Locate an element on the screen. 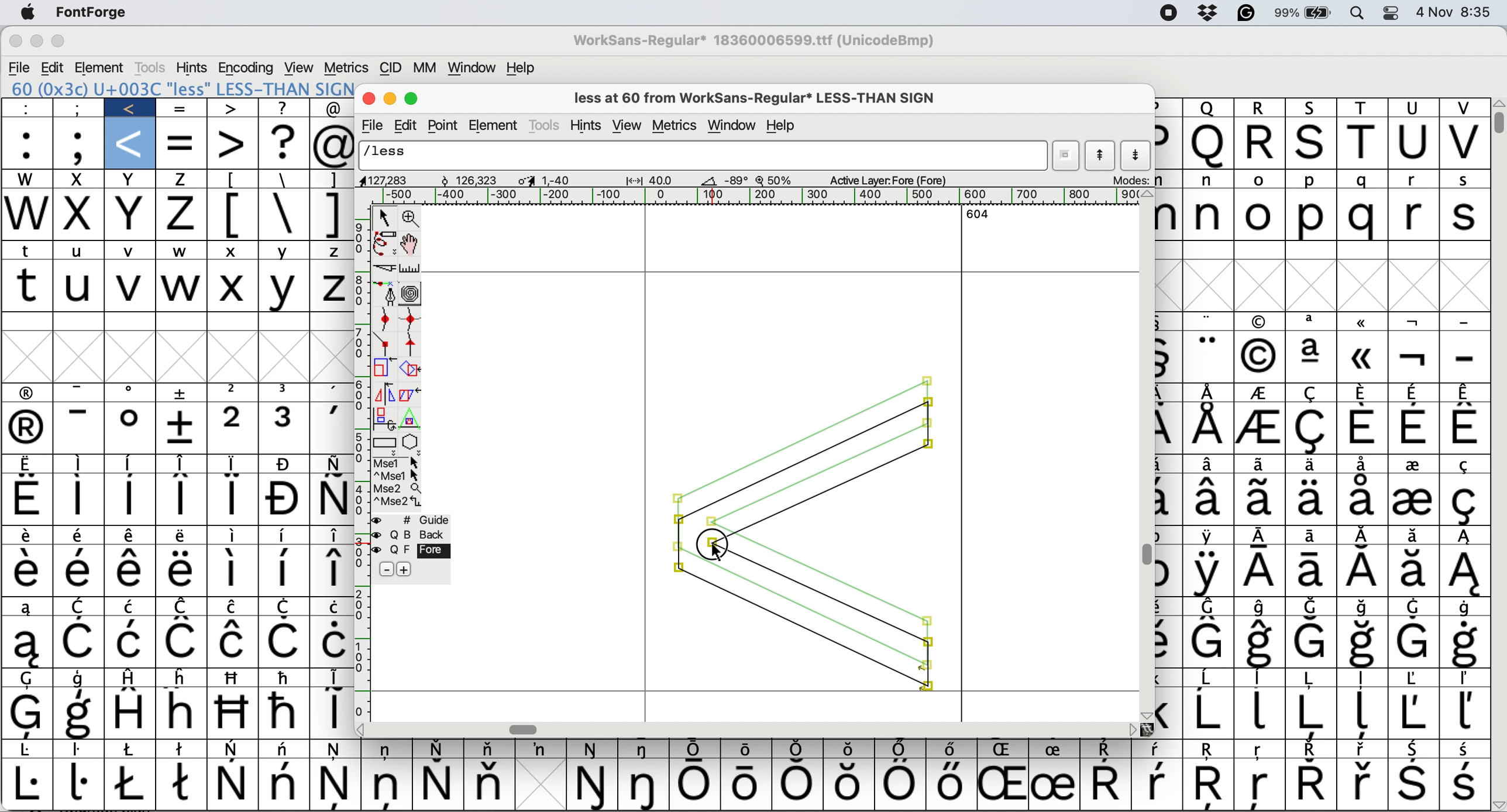 Image resolution: width=1507 pixels, height=812 pixels. zoom scale is located at coordinates (775, 178).